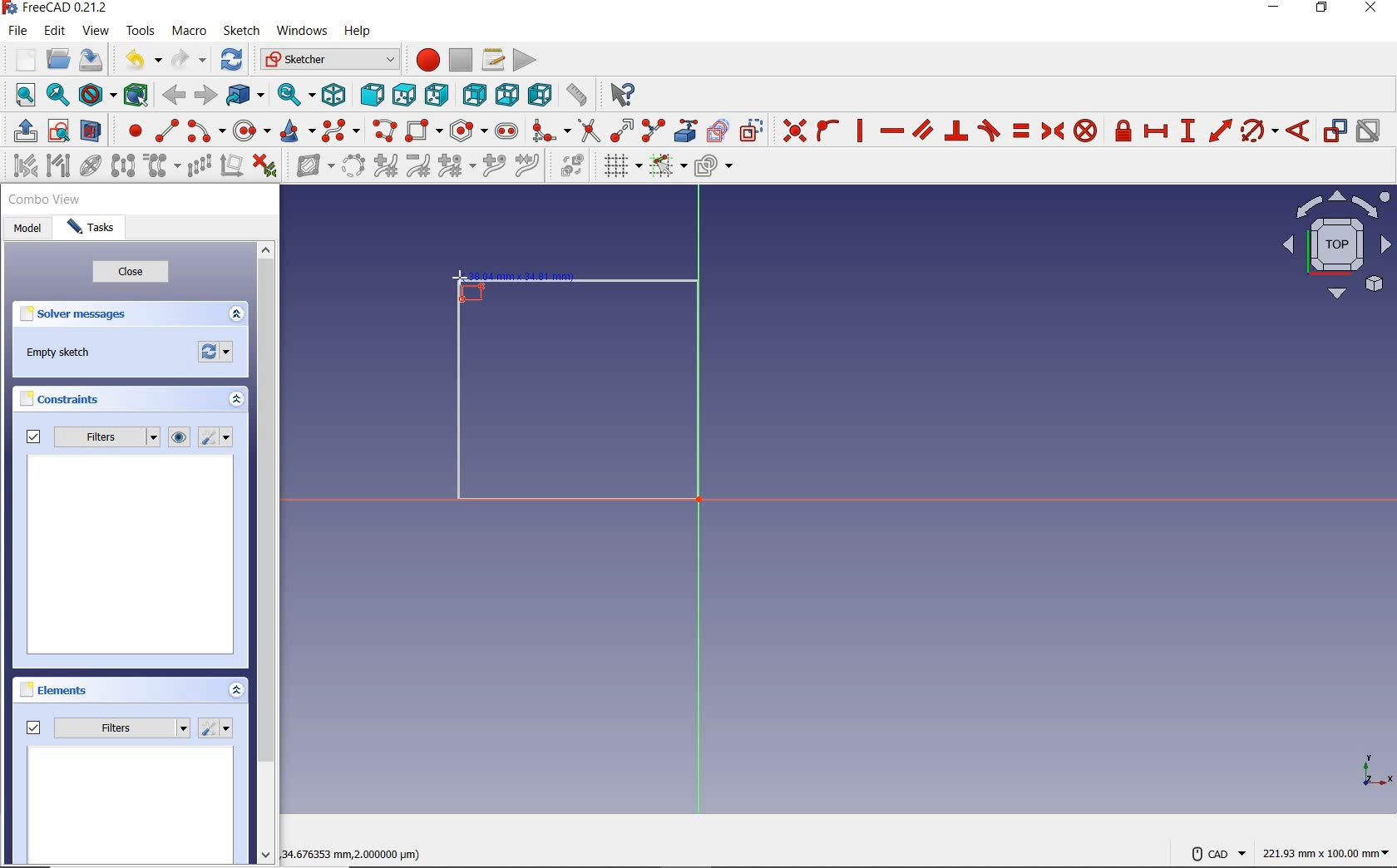 This screenshot has height=868, width=1397. I want to click on what's this?, so click(618, 96).